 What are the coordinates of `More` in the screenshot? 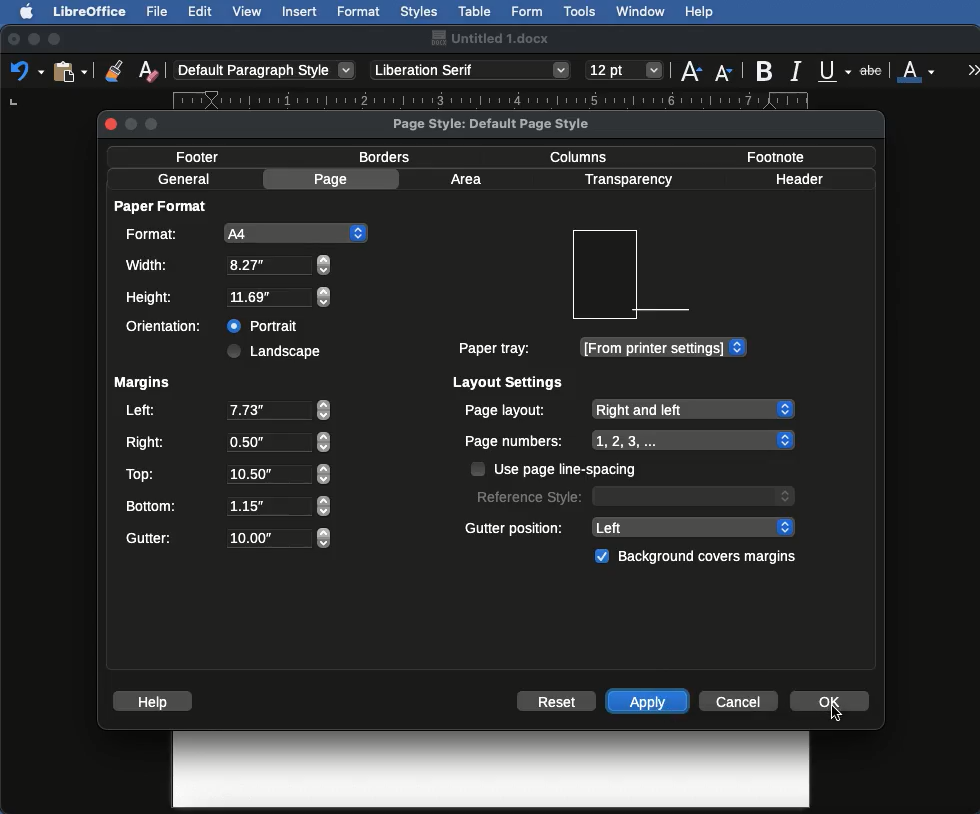 It's located at (974, 69).